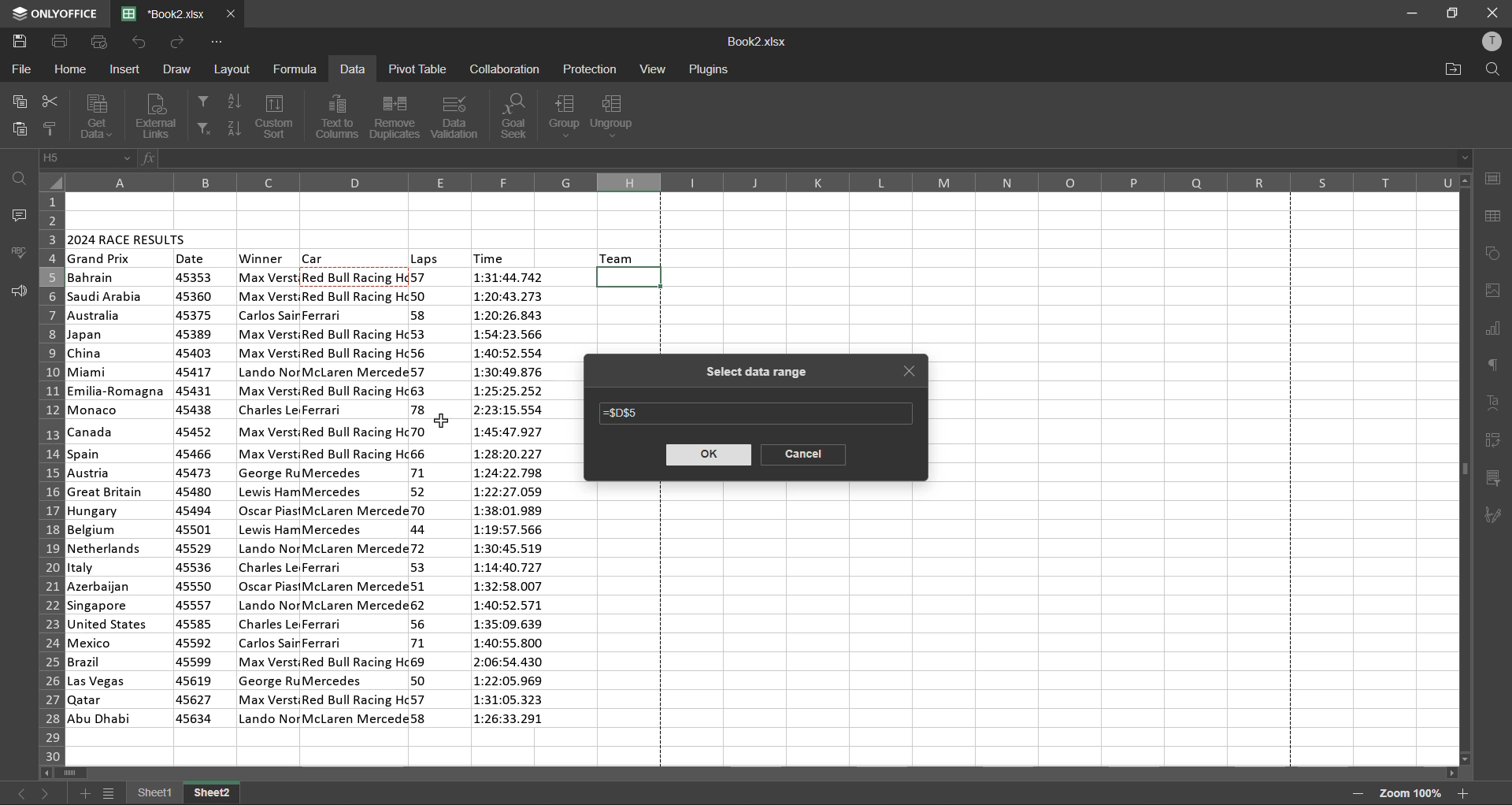 Image resolution: width=1512 pixels, height=805 pixels. What do you see at coordinates (1494, 441) in the screenshot?
I see `pivot table` at bounding box center [1494, 441].